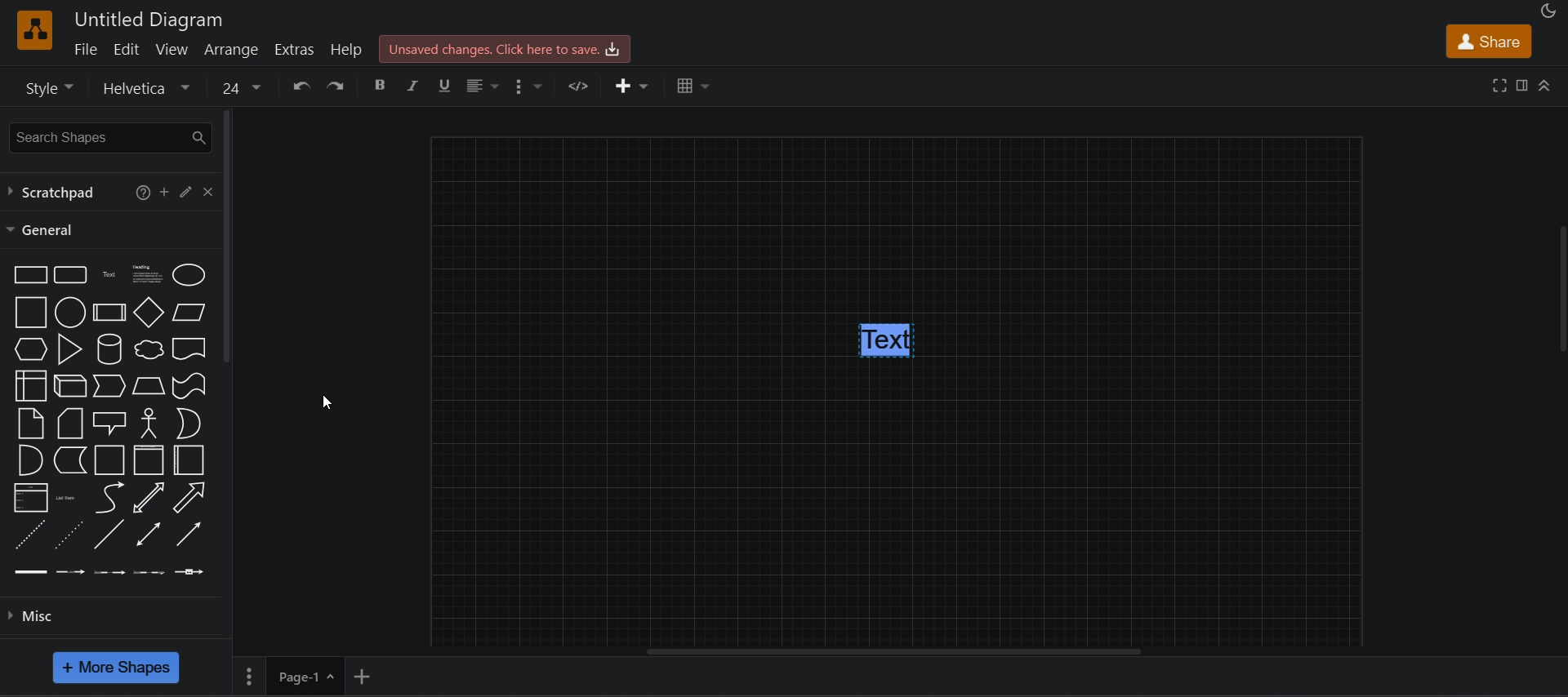 The image size is (1568, 697). I want to click on general, so click(42, 230).